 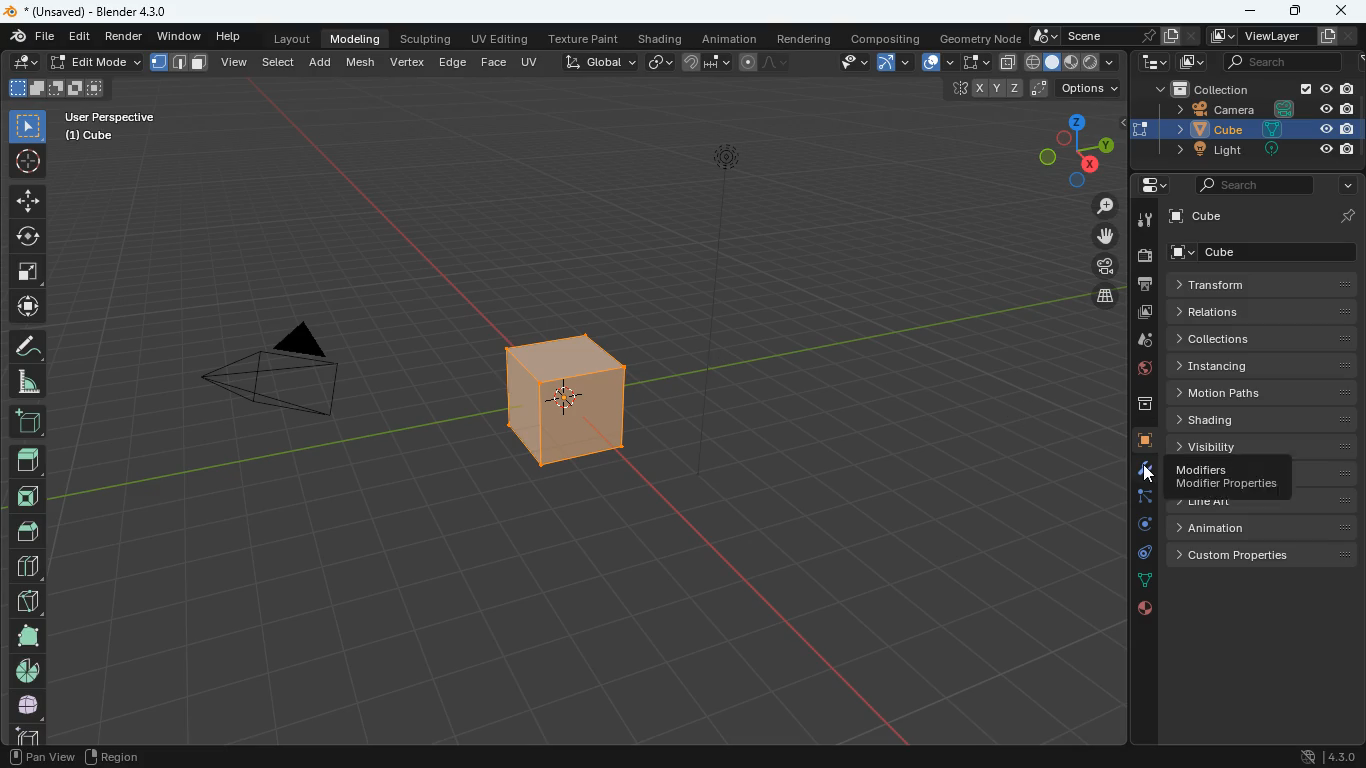 I want to click on draw, so click(x=29, y=348).